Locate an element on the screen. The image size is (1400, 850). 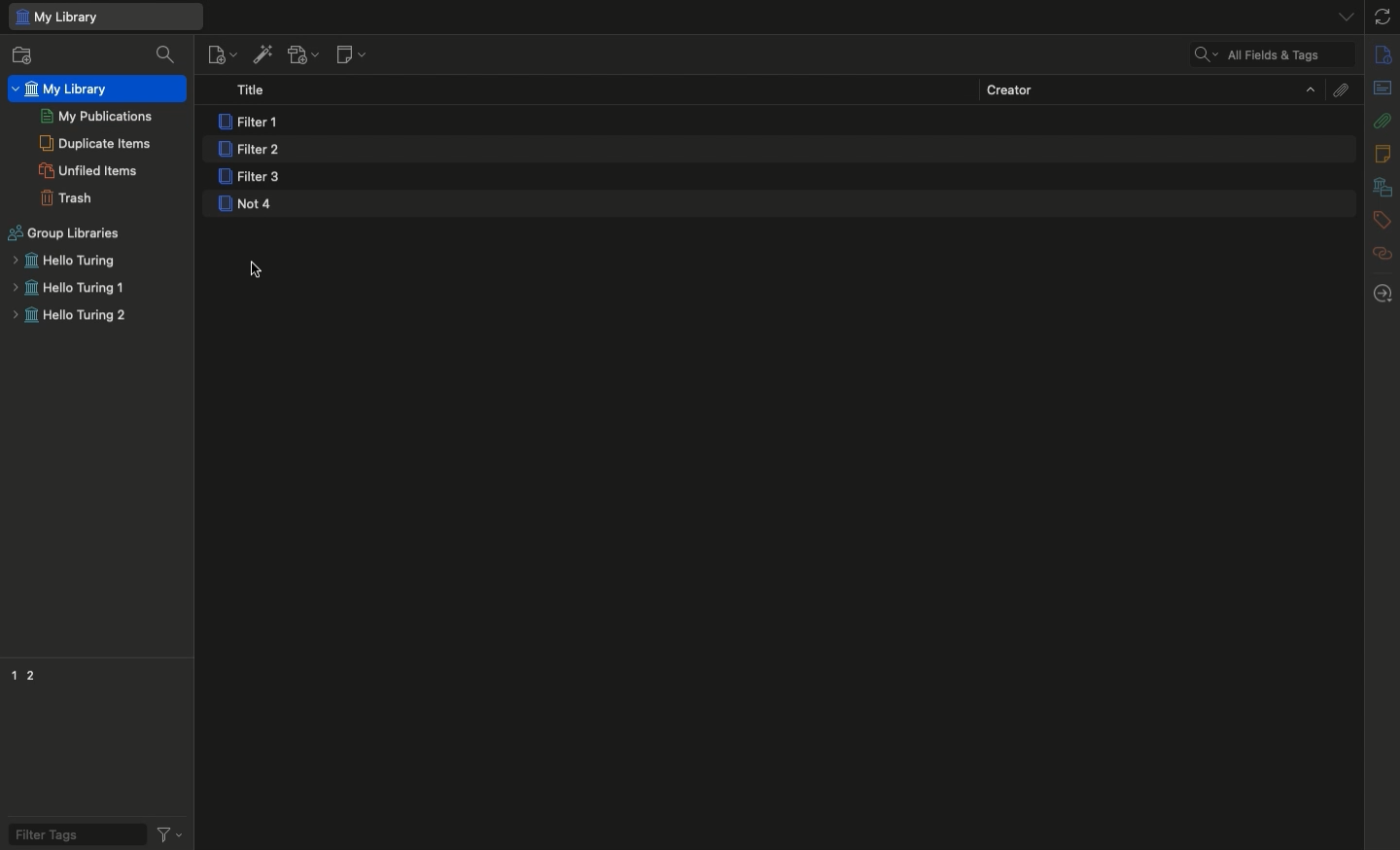
Unified items is located at coordinates (93, 168).